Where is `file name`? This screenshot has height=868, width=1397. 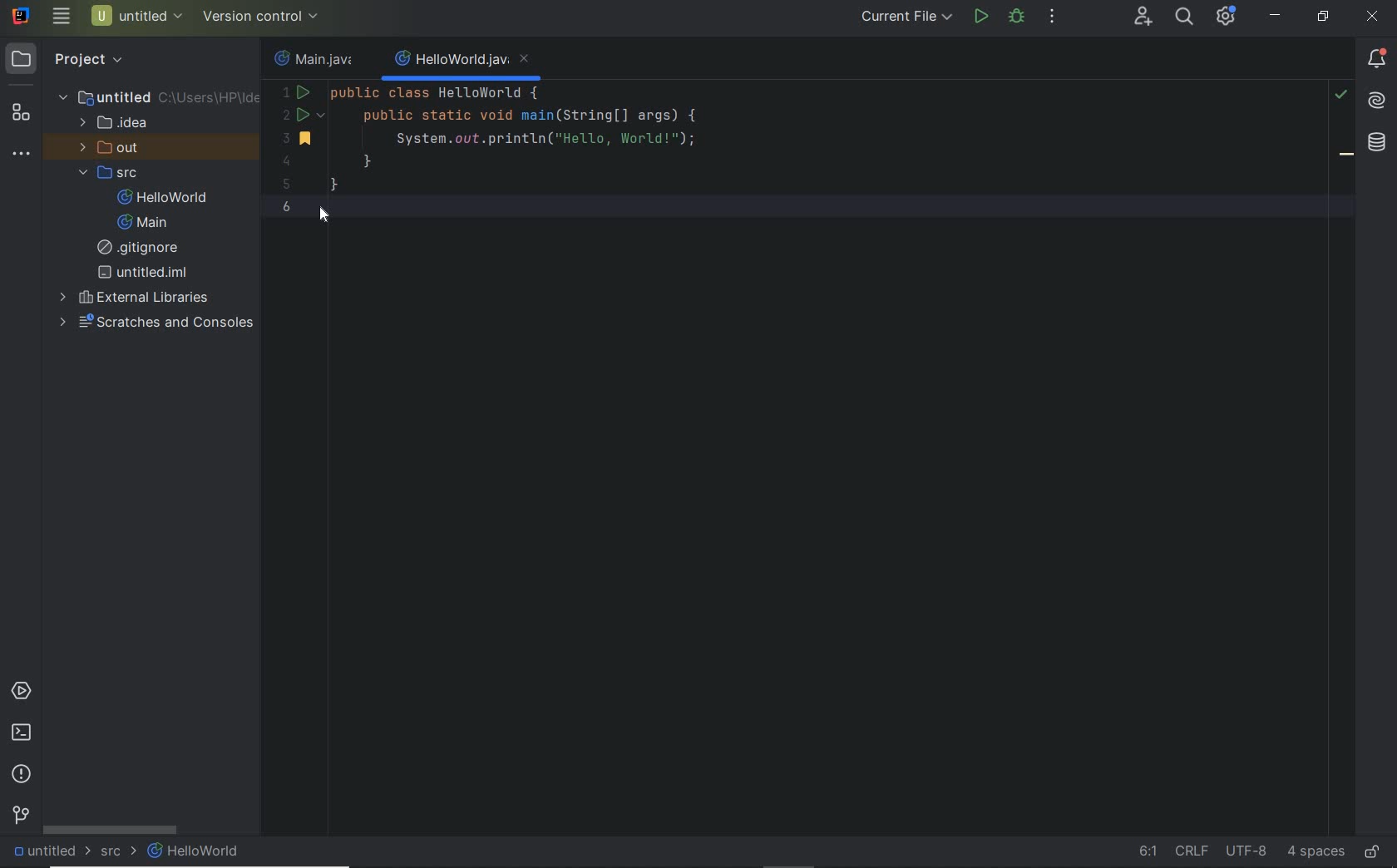
file name is located at coordinates (318, 57).